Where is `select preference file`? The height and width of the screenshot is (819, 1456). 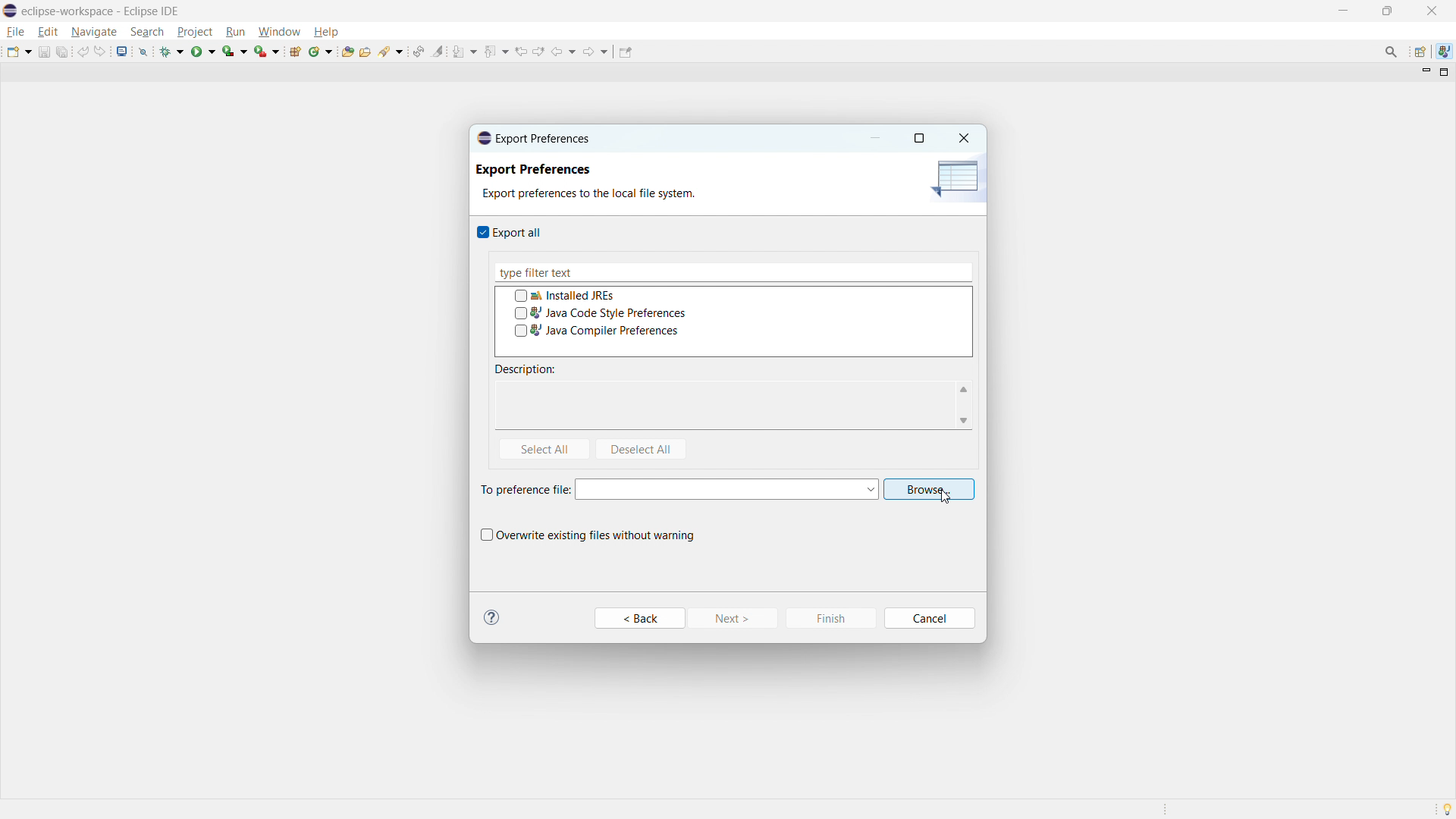 select preference file is located at coordinates (728, 490).